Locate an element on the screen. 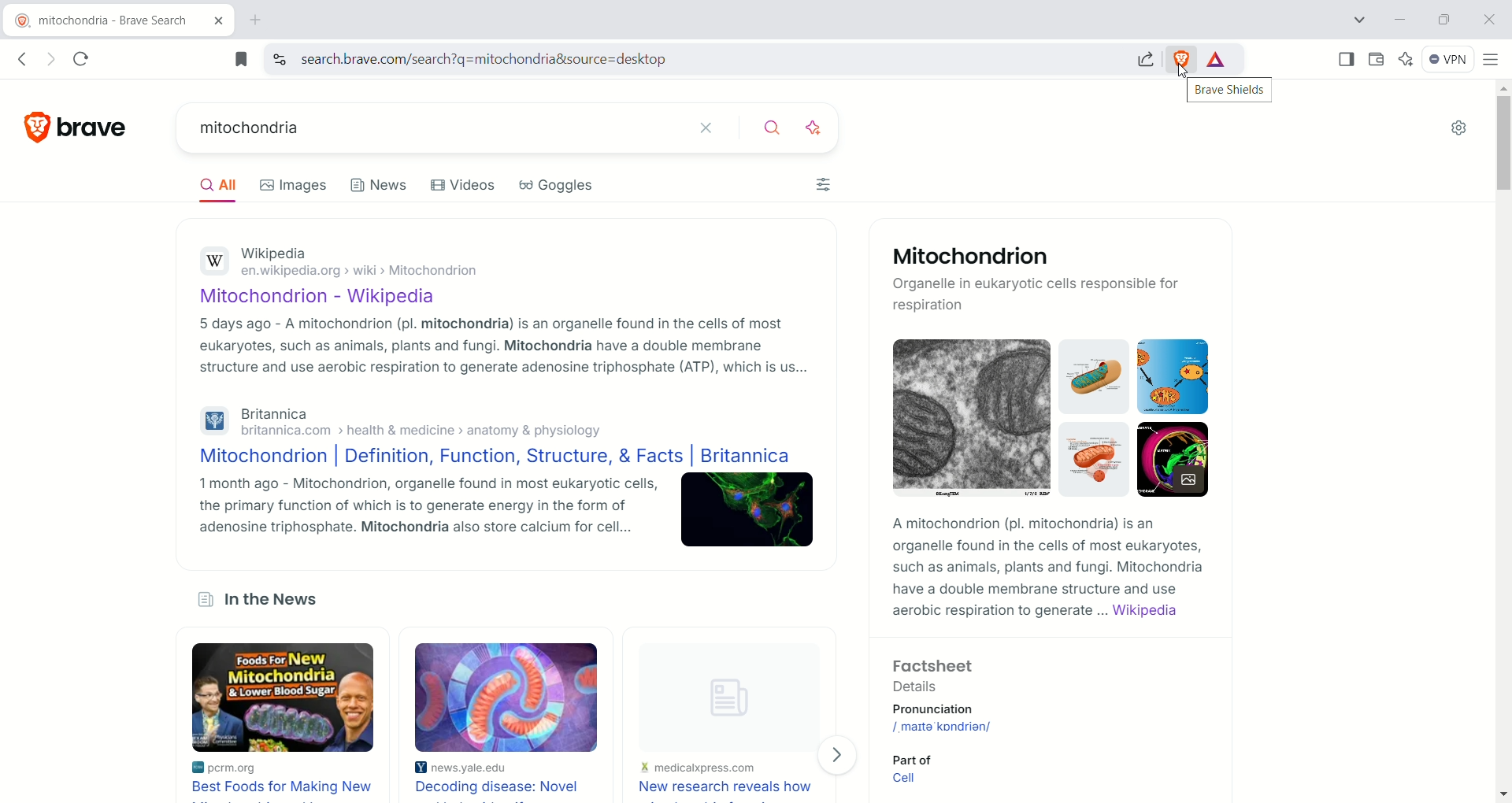  Click to go back, hold to see history is located at coordinates (22, 60).